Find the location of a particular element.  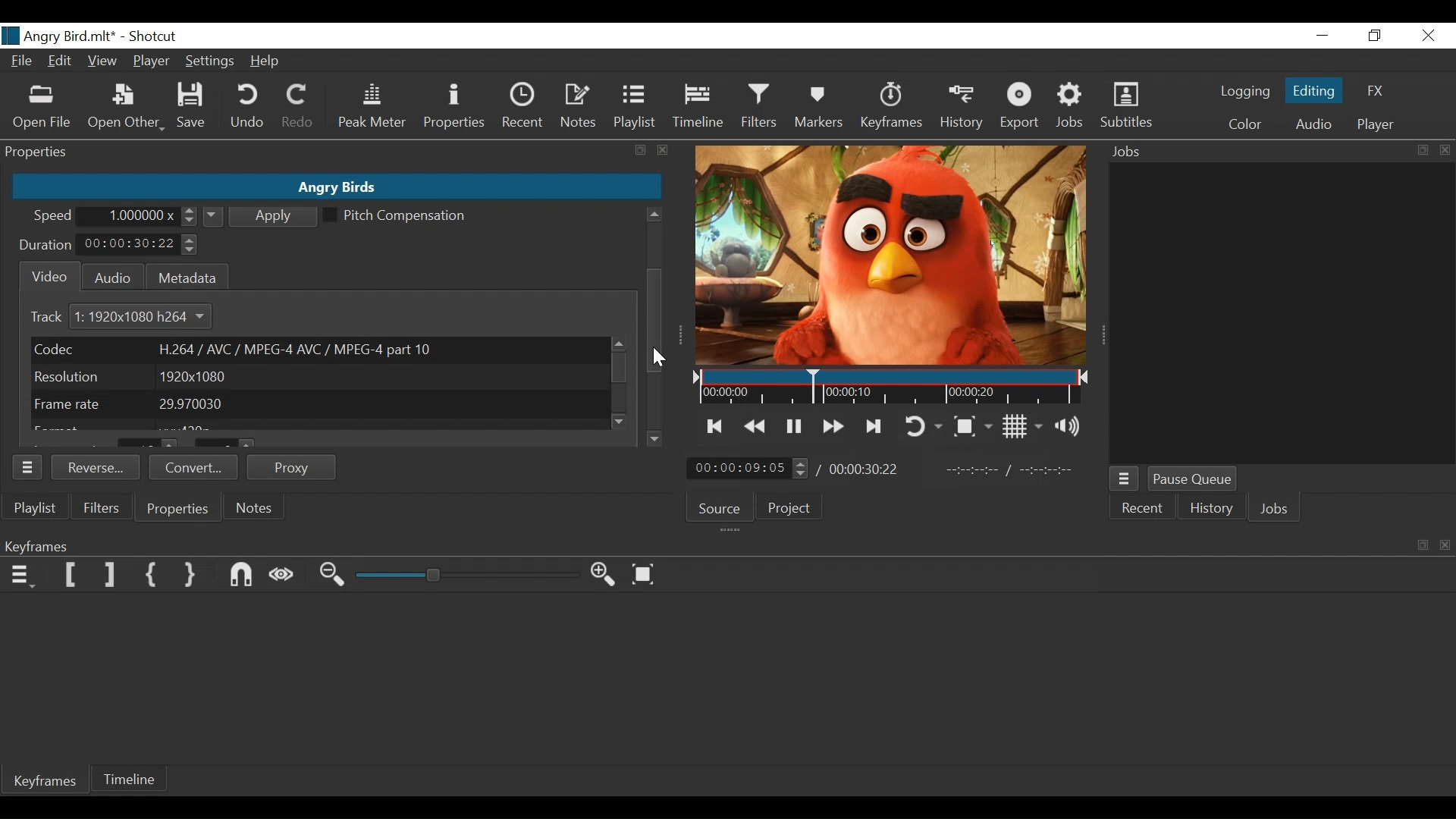

Audio is located at coordinates (108, 276).